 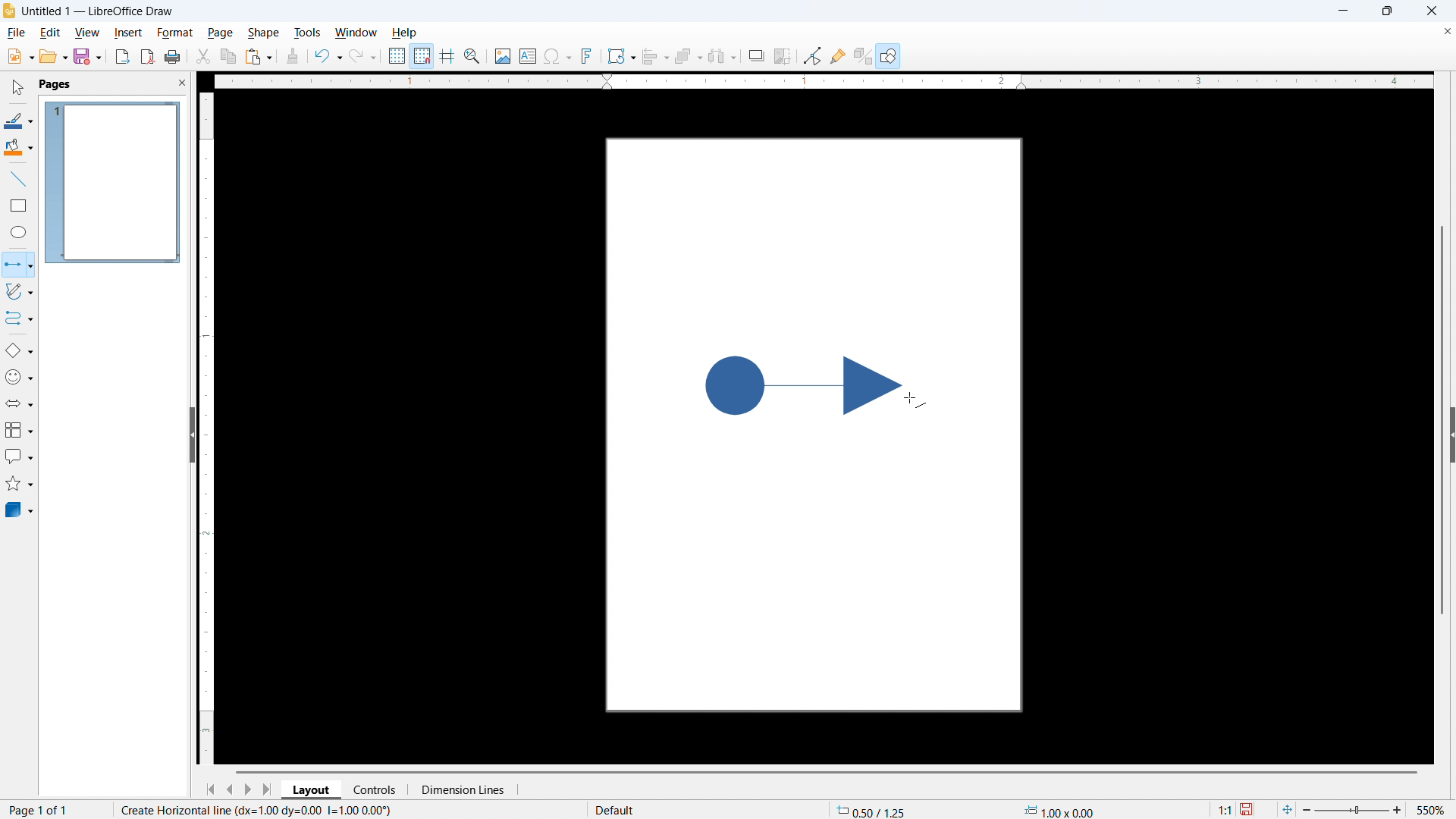 What do you see at coordinates (88, 33) in the screenshot?
I see `View ` at bounding box center [88, 33].